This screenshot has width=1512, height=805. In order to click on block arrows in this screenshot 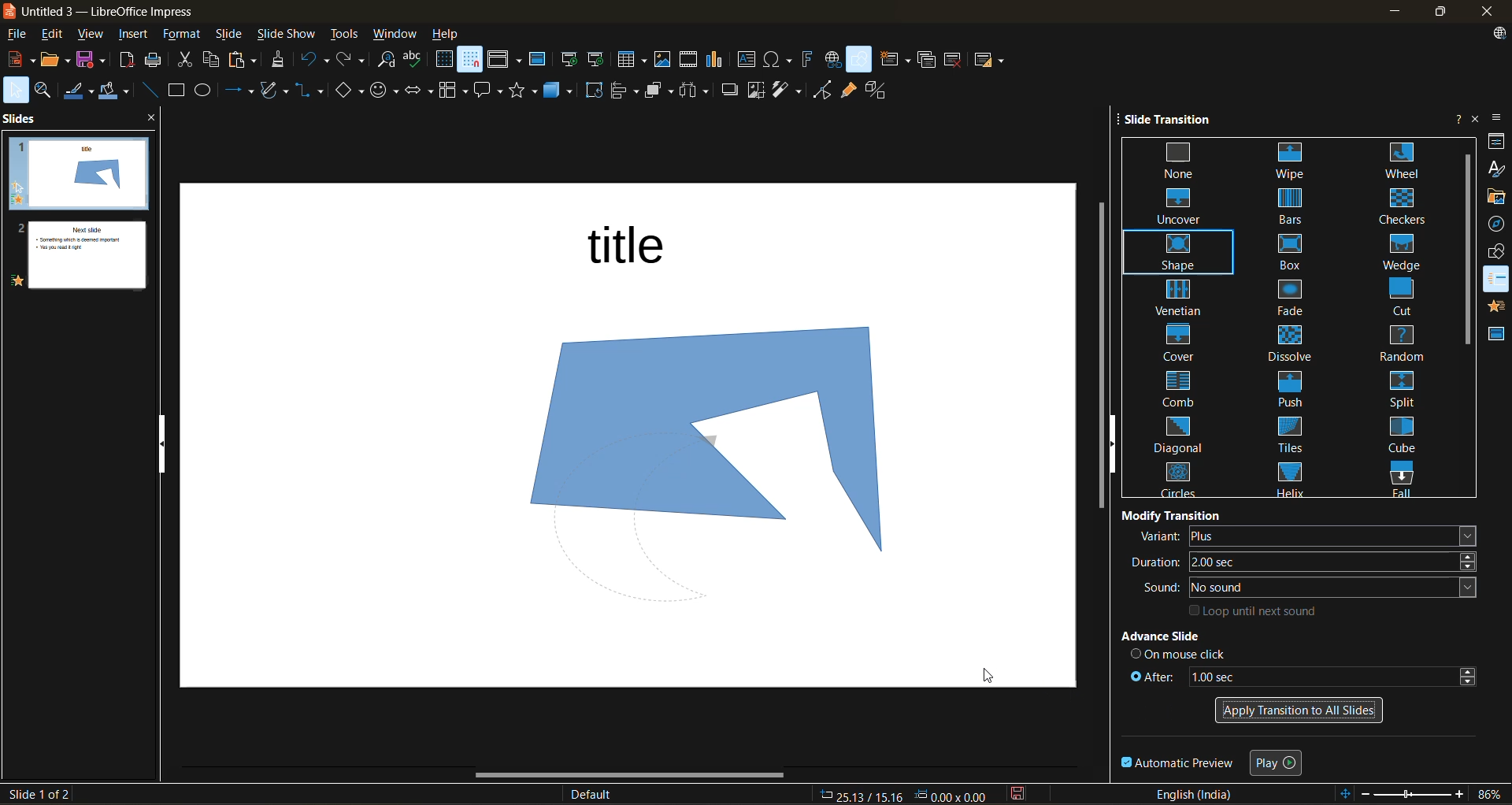, I will do `click(421, 90)`.